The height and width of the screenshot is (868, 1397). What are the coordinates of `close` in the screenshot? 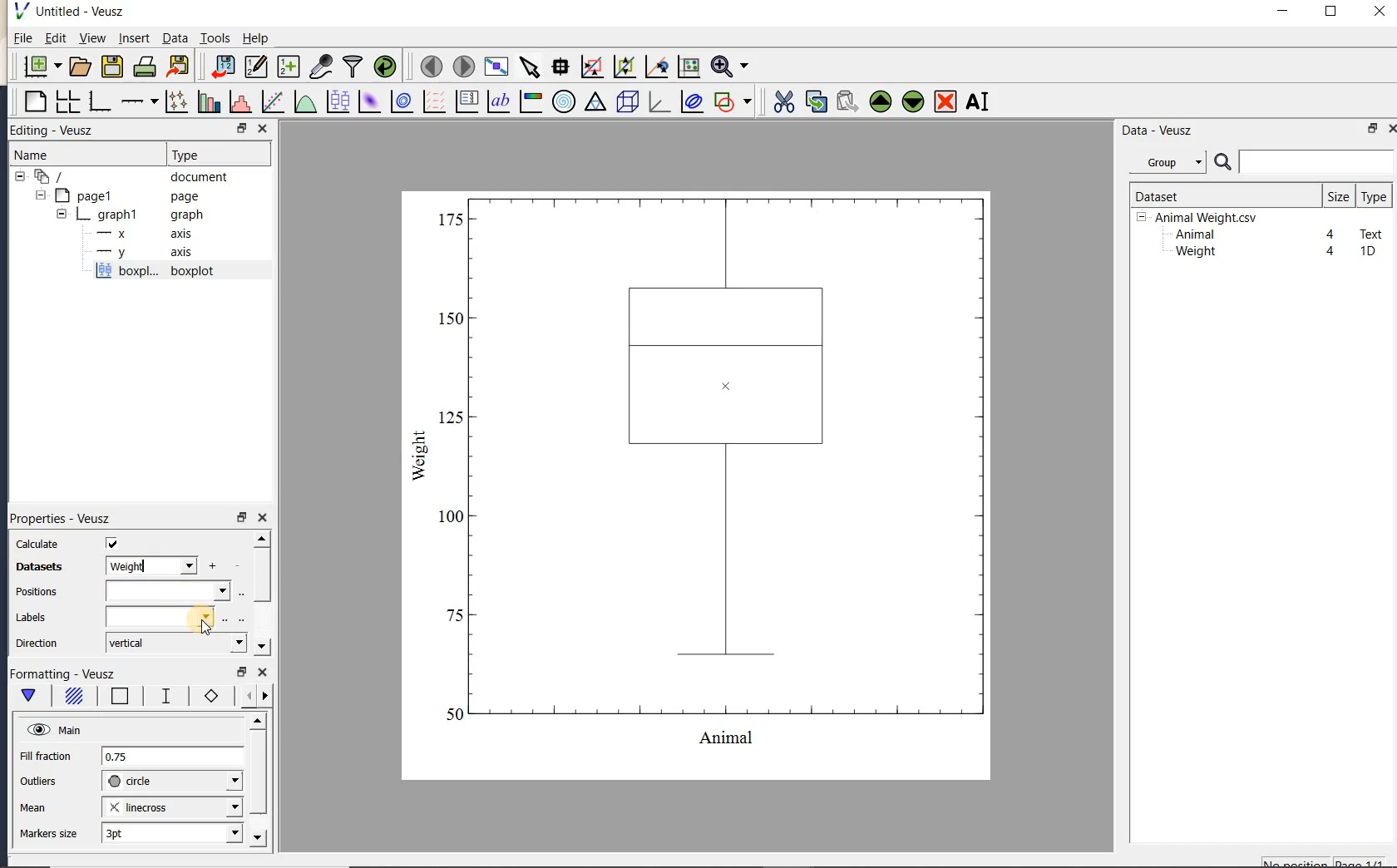 It's located at (1380, 12).